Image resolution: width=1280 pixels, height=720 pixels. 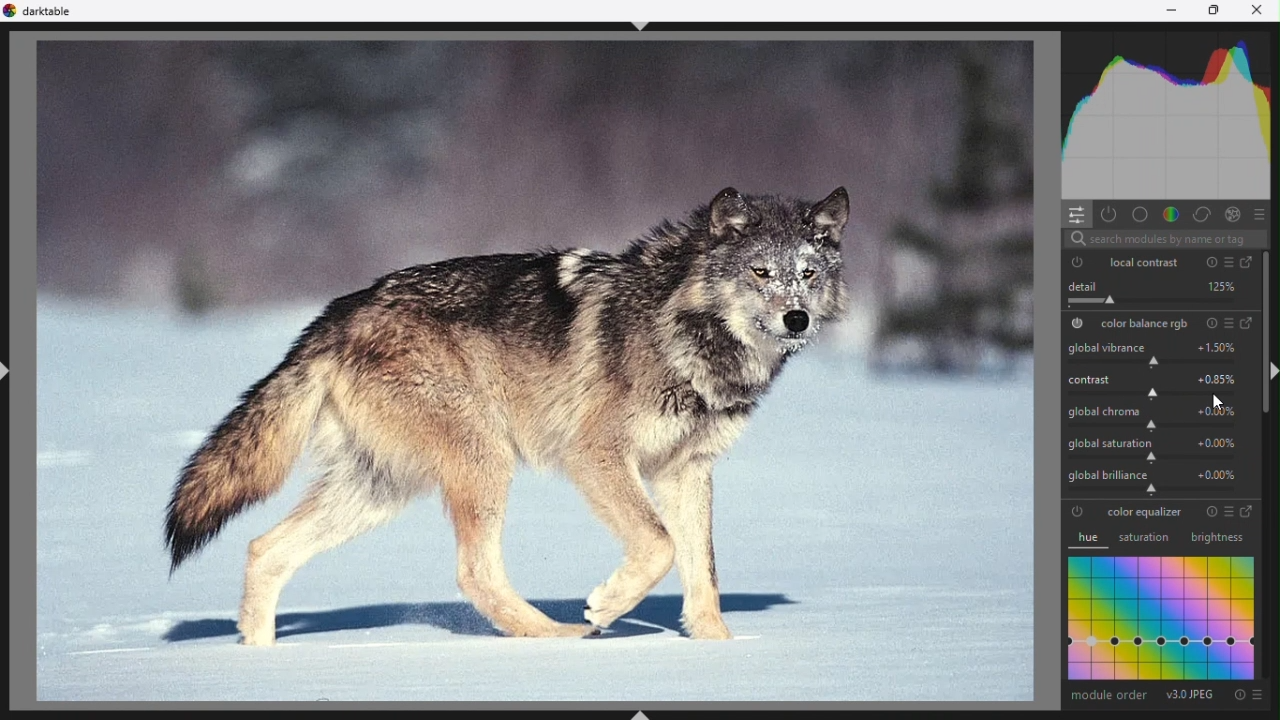 I want to click on hue, so click(x=1090, y=539).